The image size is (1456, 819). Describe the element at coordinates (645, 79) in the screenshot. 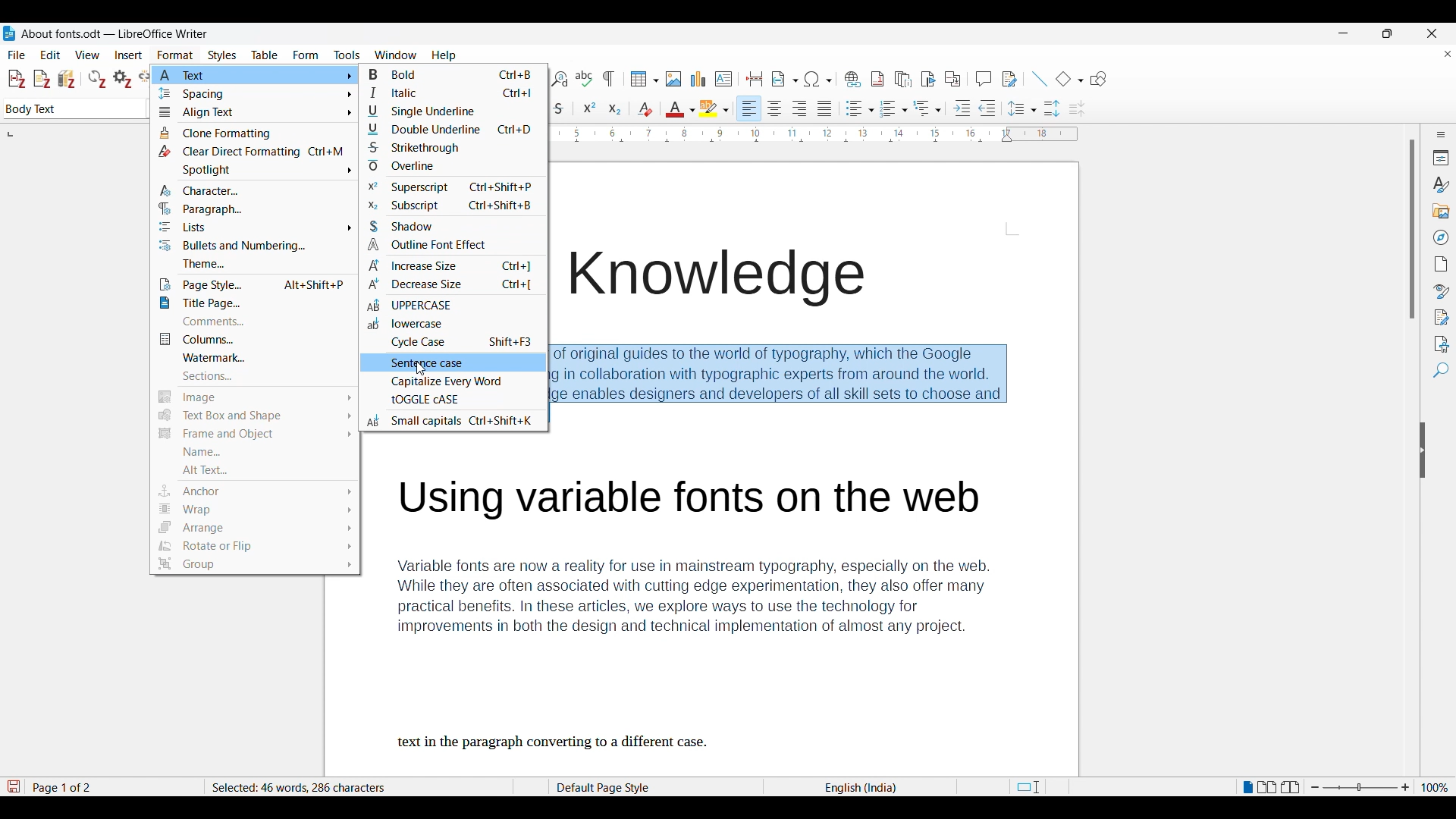

I see `Insert table` at that location.